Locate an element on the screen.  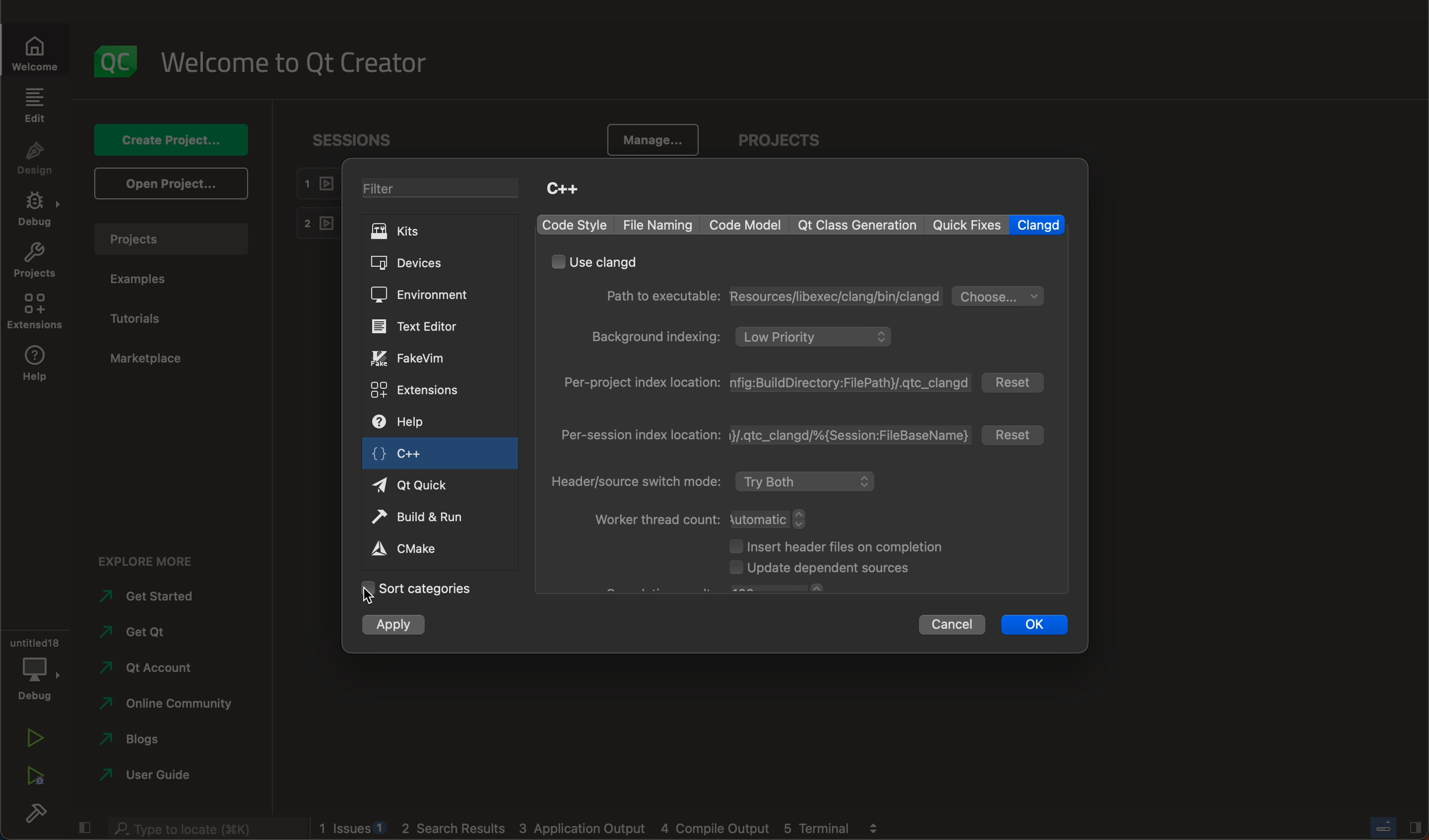
per session location is located at coordinates (763, 434).